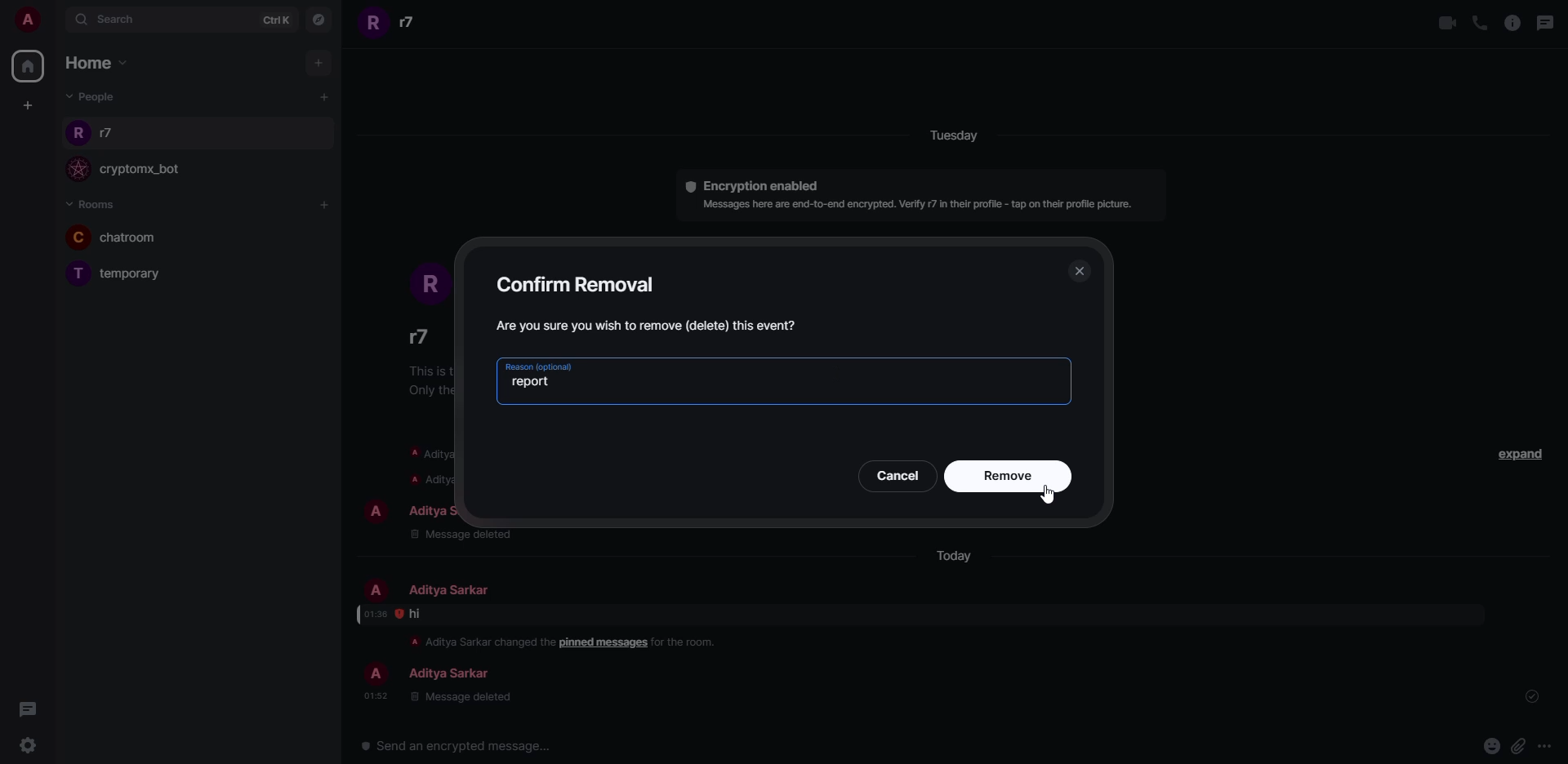 This screenshot has width=1568, height=764. What do you see at coordinates (375, 675) in the screenshot?
I see `profile` at bounding box center [375, 675].